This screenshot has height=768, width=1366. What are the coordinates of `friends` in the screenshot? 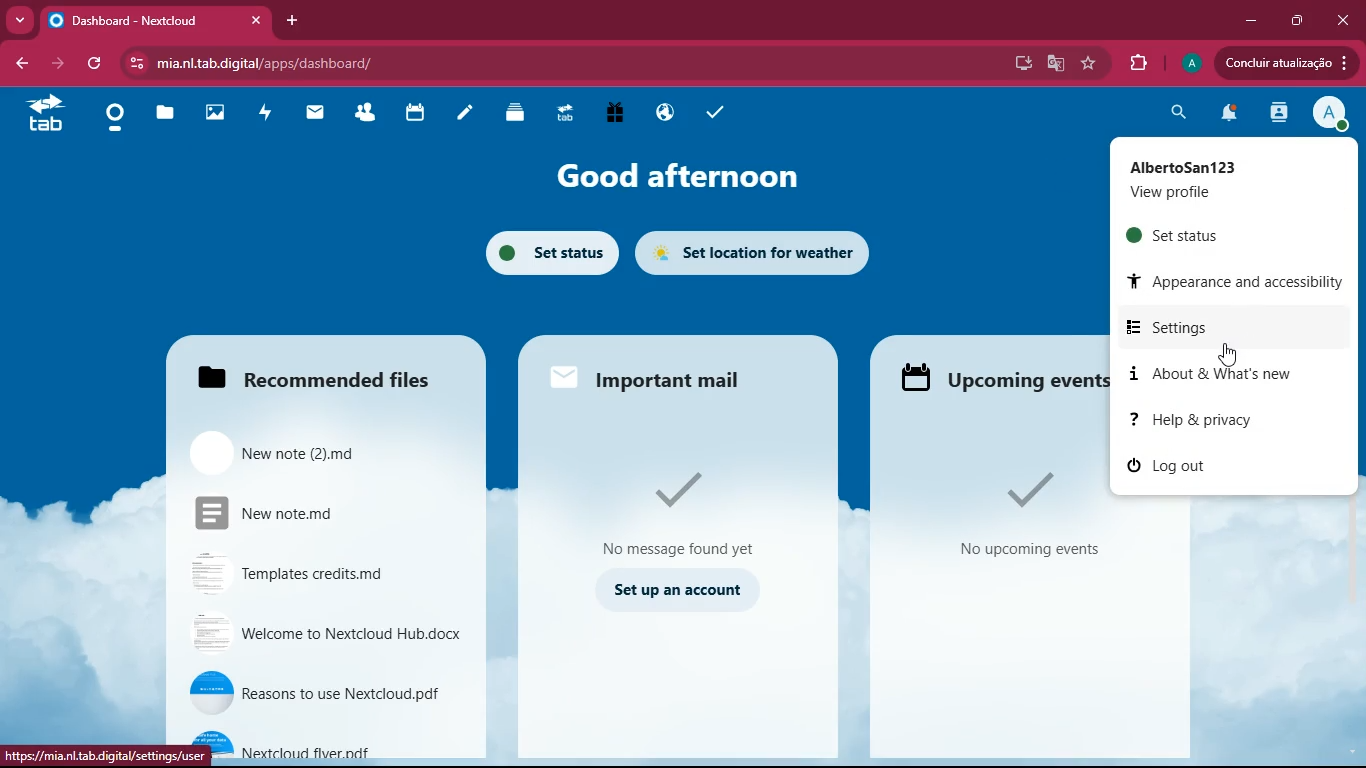 It's located at (359, 115).